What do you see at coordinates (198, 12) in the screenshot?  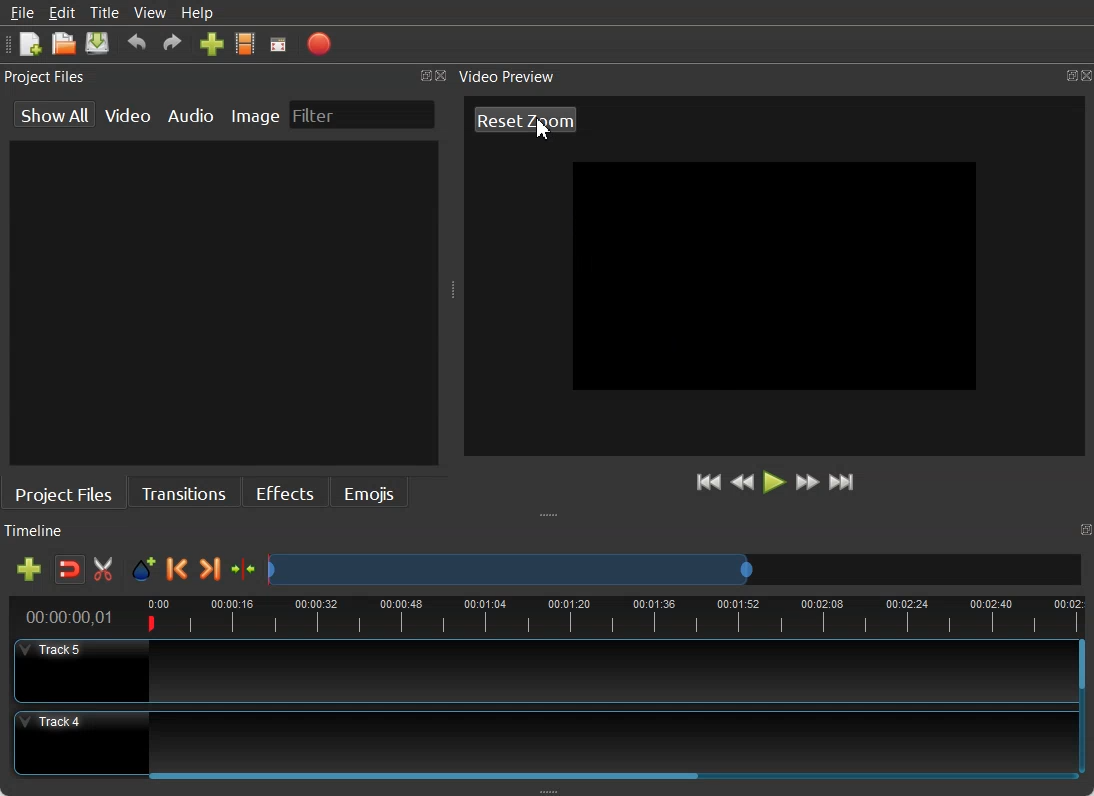 I see `Help` at bounding box center [198, 12].